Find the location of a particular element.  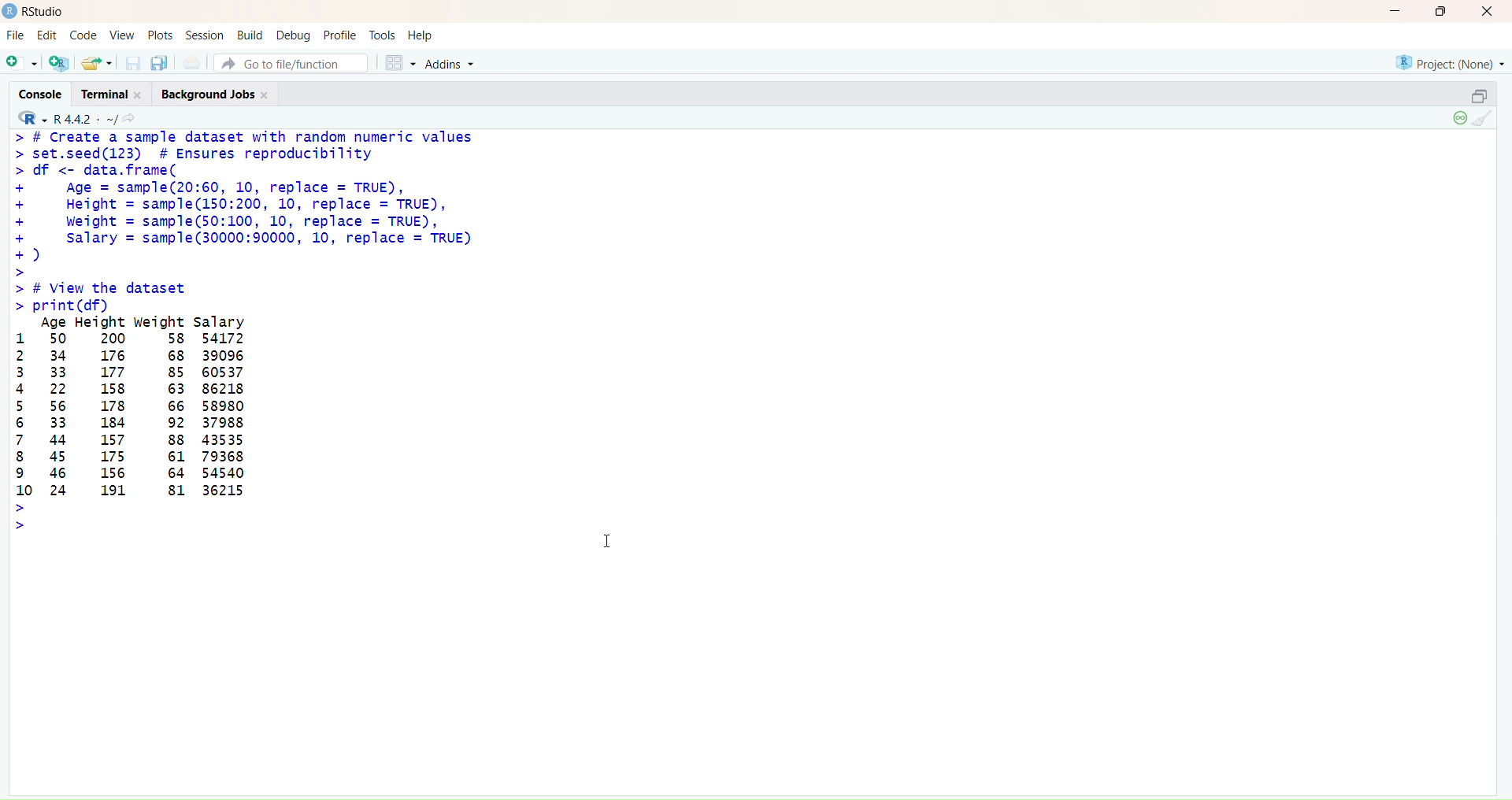

Print the current file is located at coordinates (193, 62).